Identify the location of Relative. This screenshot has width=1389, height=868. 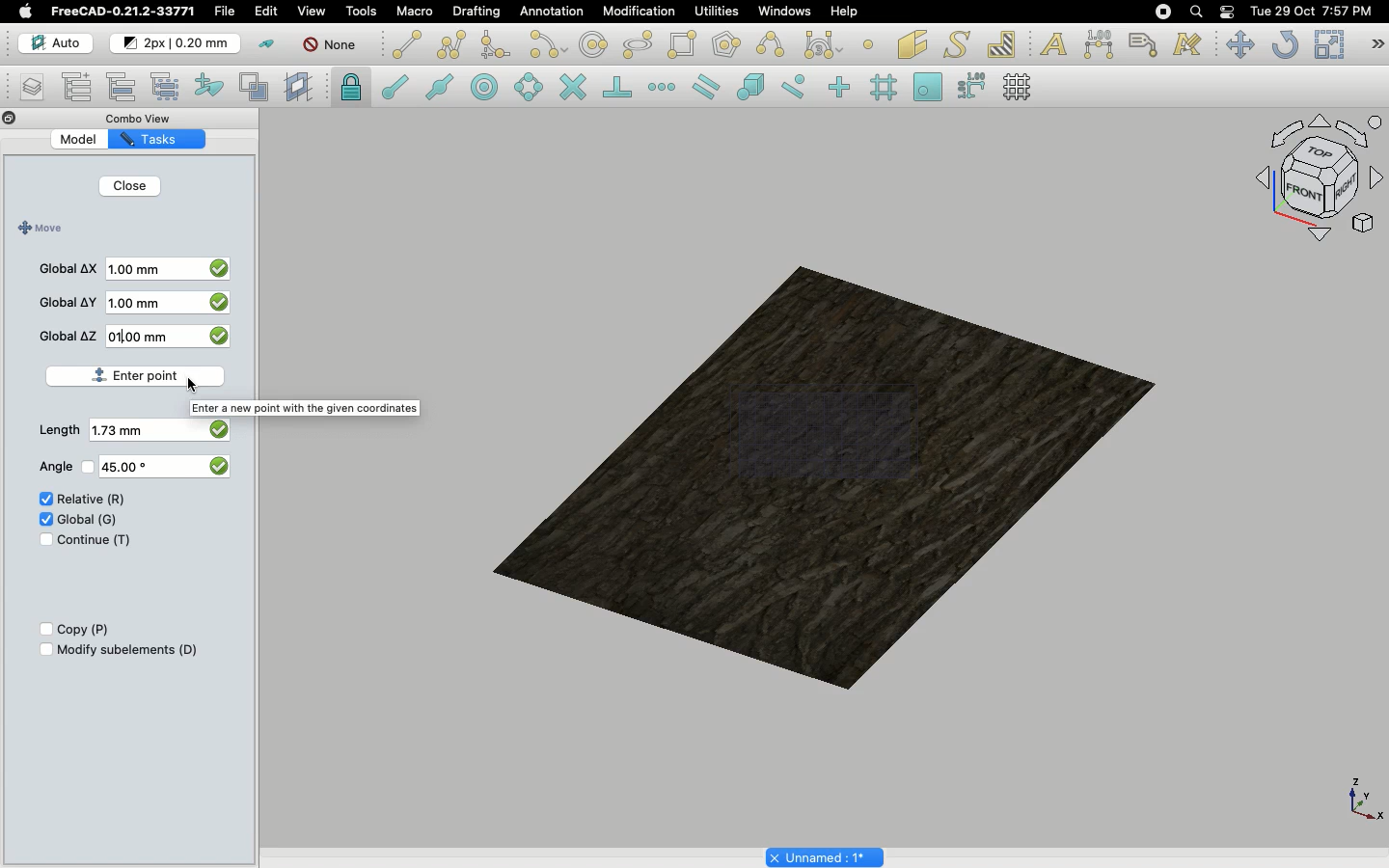
(92, 500).